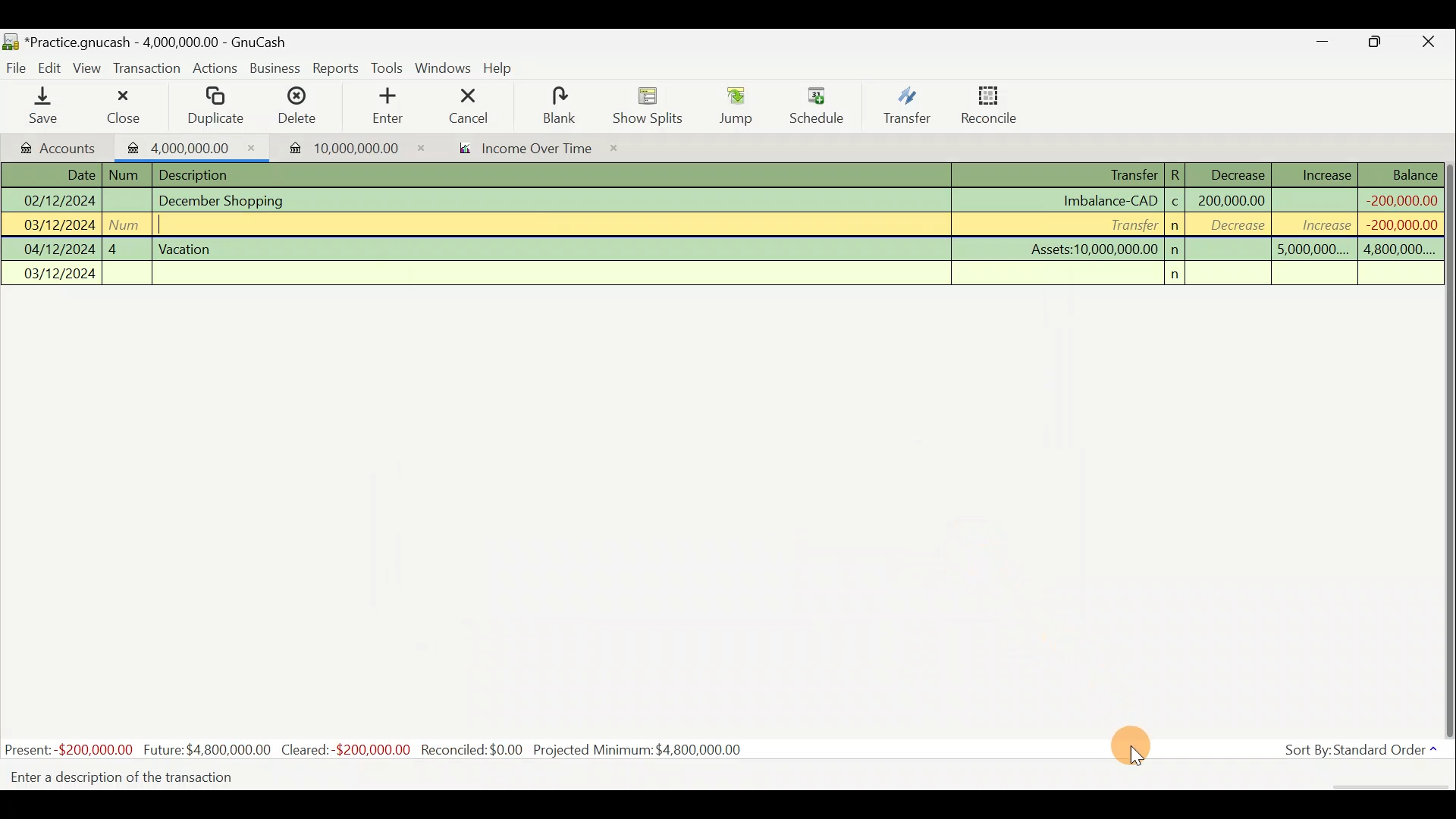 This screenshot has height=819, width=1456. I want to click on Schedule, so click(817, 105).